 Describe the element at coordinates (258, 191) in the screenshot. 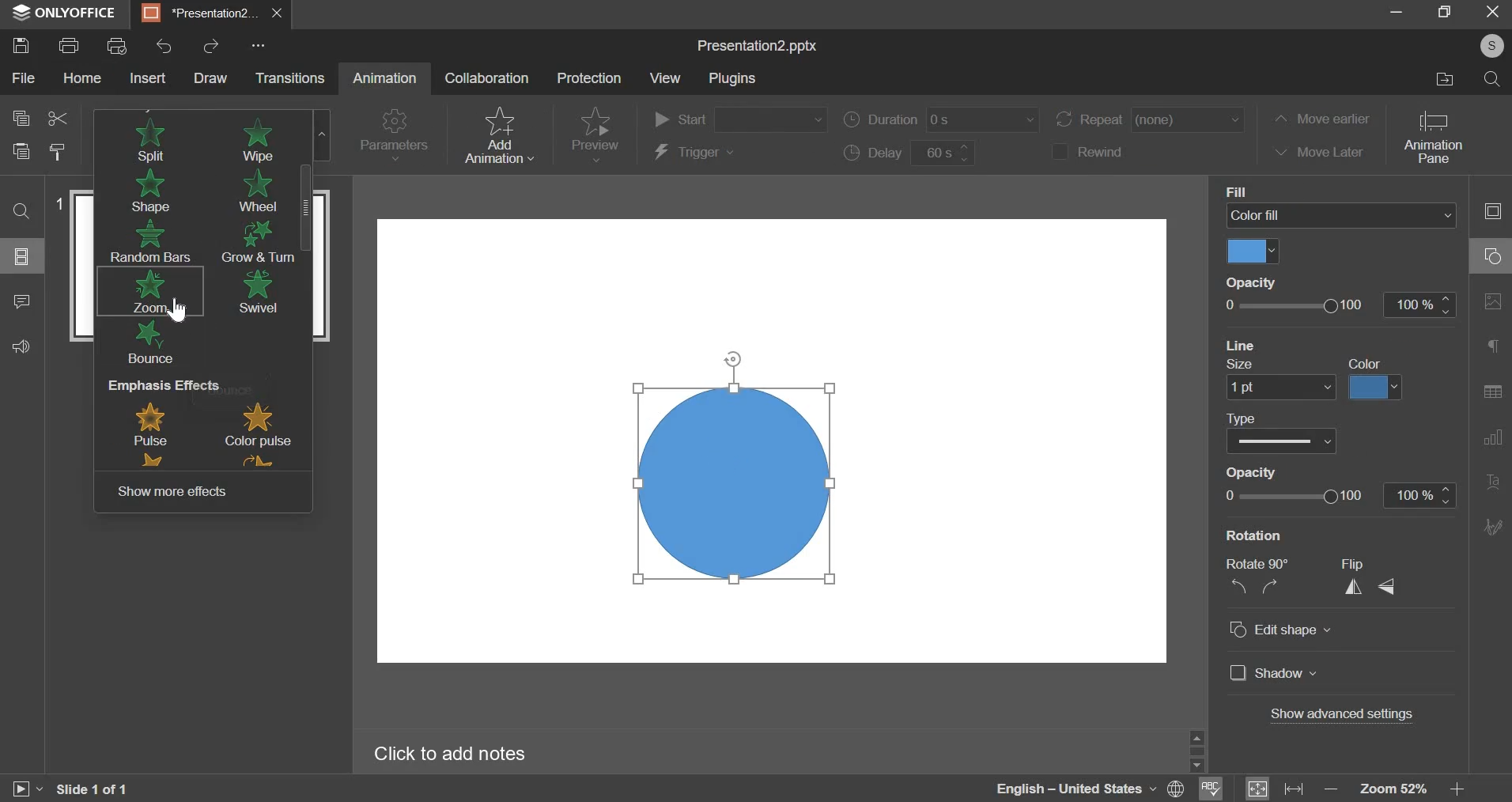

I see `wheel` at that location.